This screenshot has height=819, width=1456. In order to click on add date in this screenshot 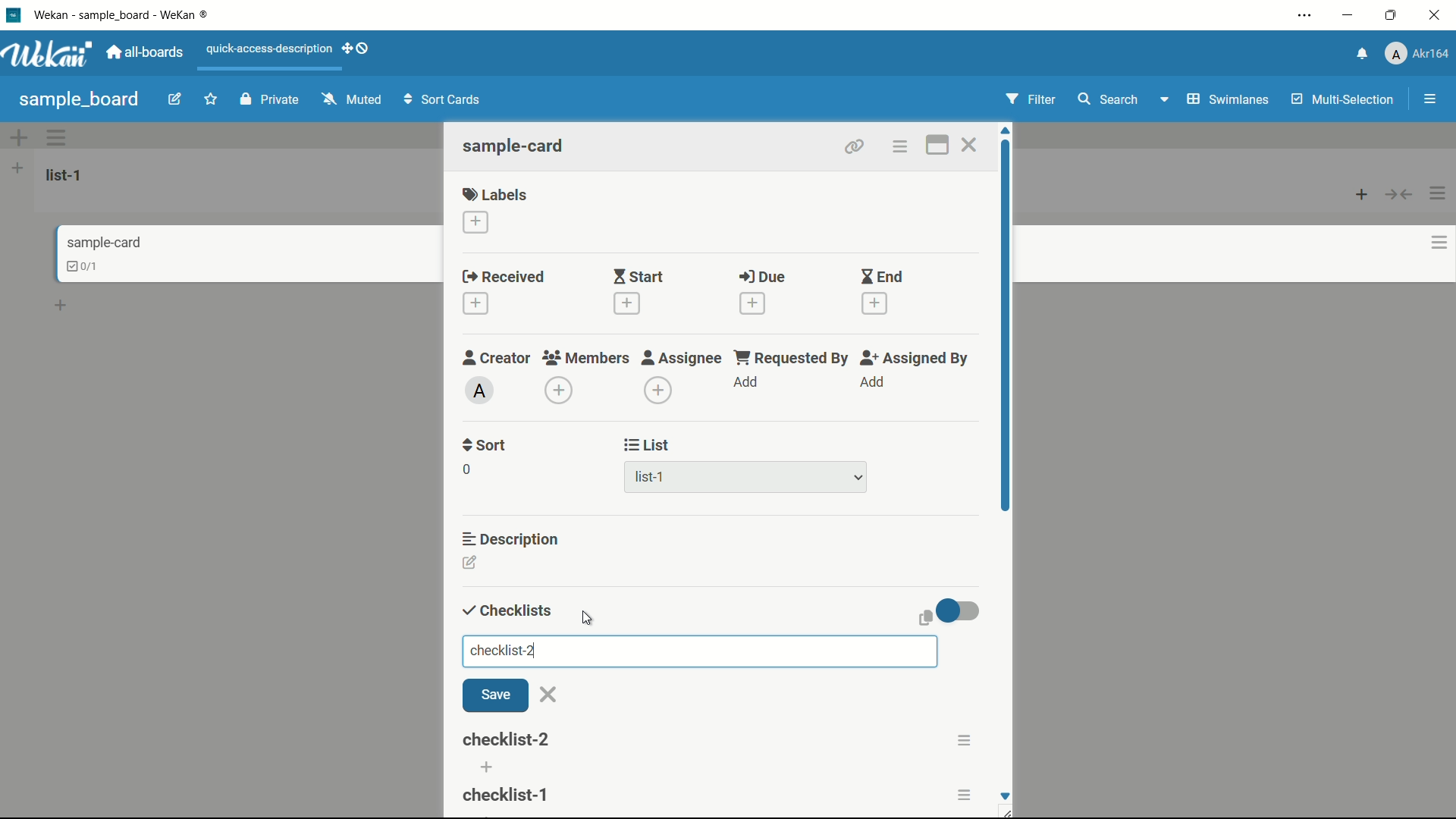, I will do `click(475, 304)`.